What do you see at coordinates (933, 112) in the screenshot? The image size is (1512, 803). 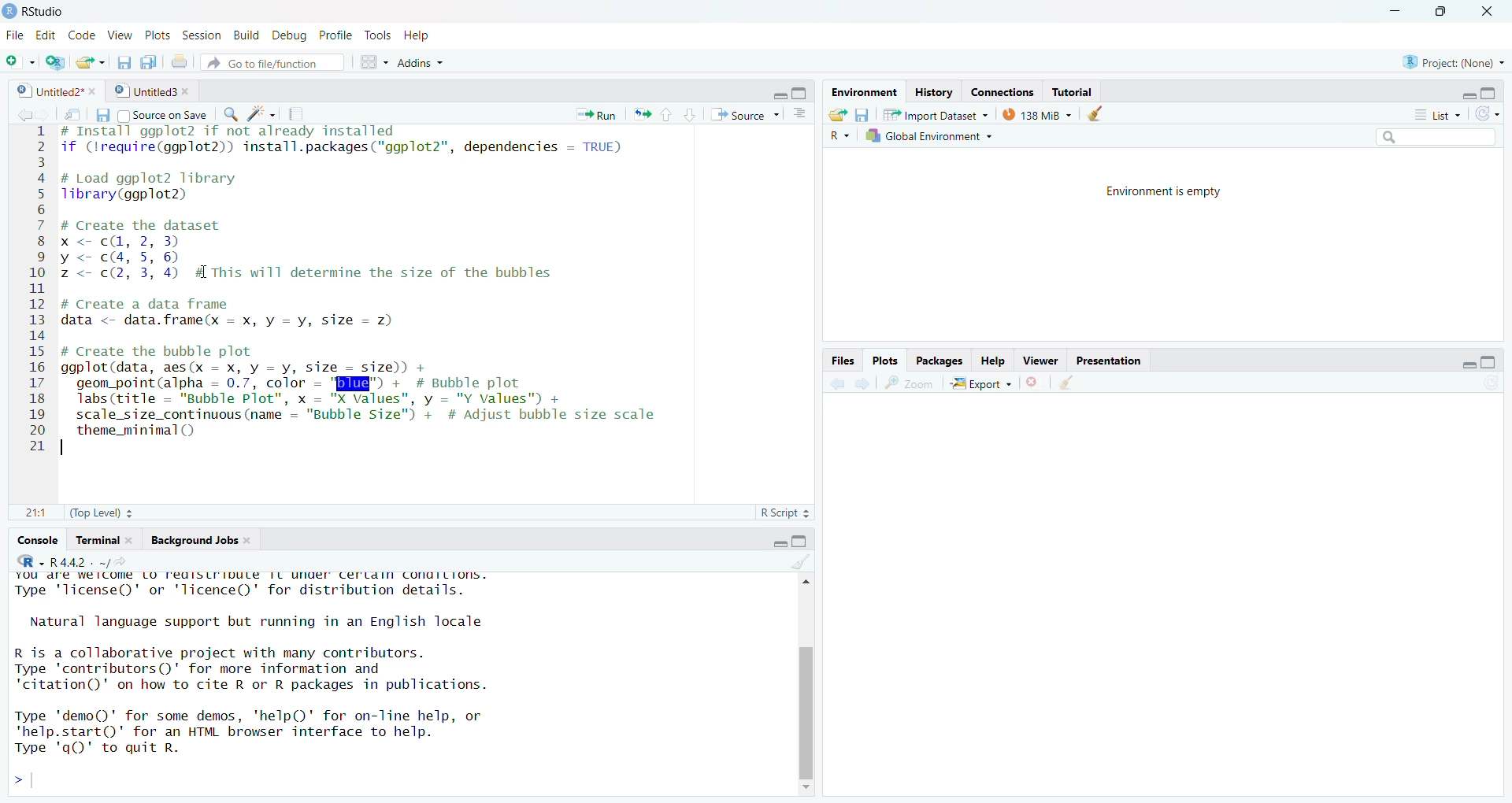 I see `import Dataset ` at bounding box center [933, 112].